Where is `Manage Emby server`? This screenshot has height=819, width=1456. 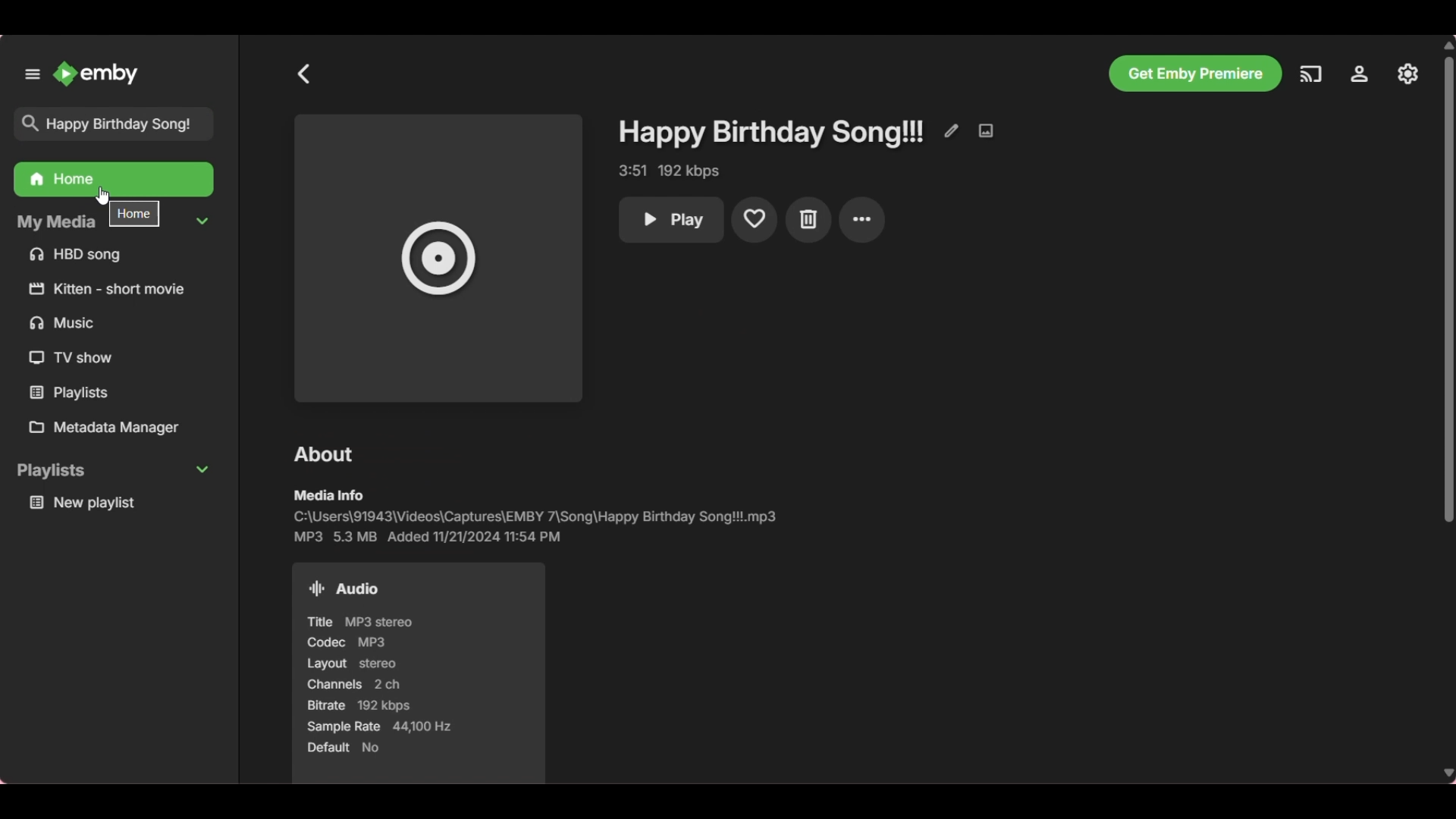 Manage Emby server is located at coordinates (1360, 78).